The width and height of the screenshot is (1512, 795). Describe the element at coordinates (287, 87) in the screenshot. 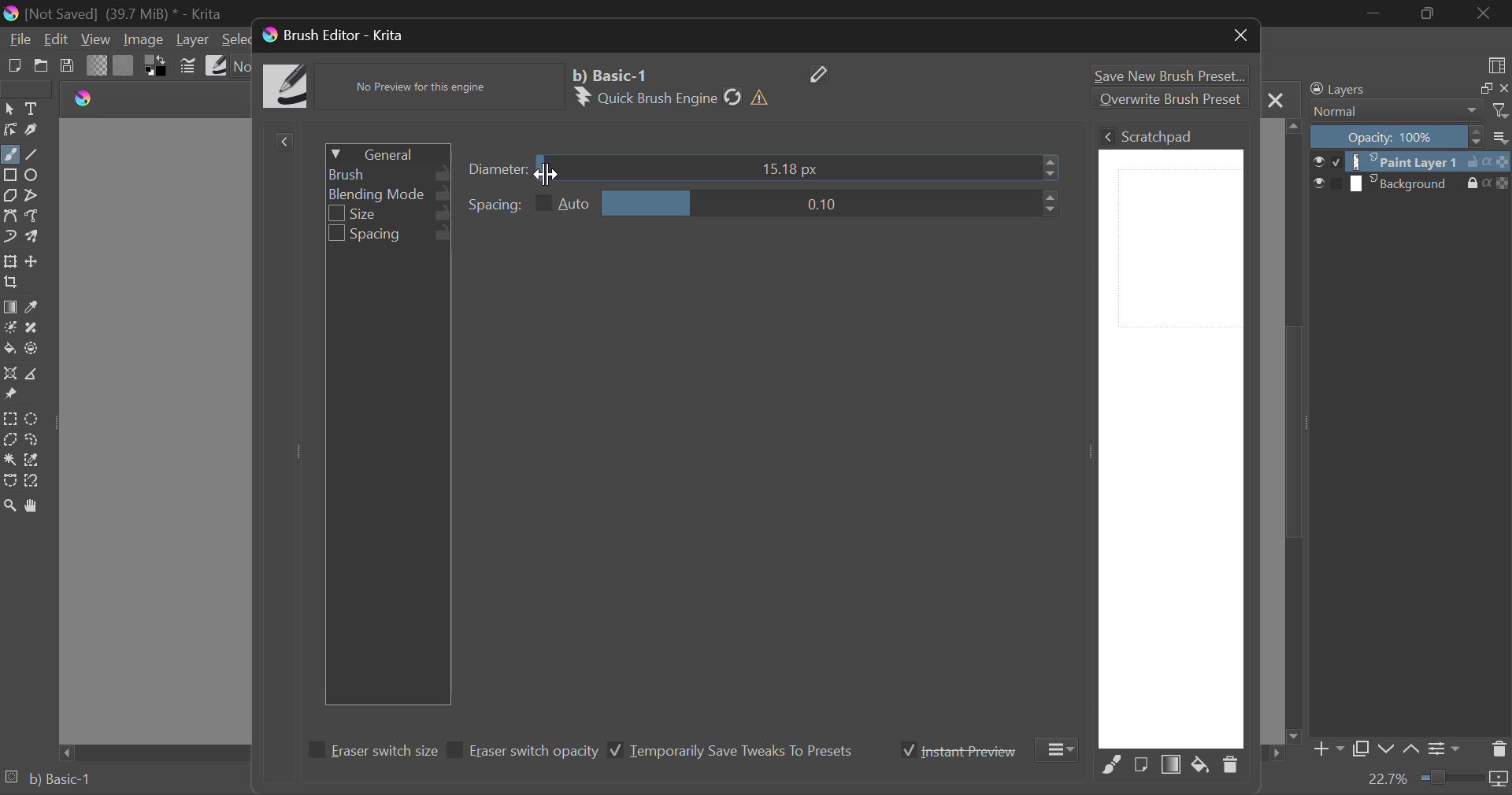

I see `Brush Icon` at that location.